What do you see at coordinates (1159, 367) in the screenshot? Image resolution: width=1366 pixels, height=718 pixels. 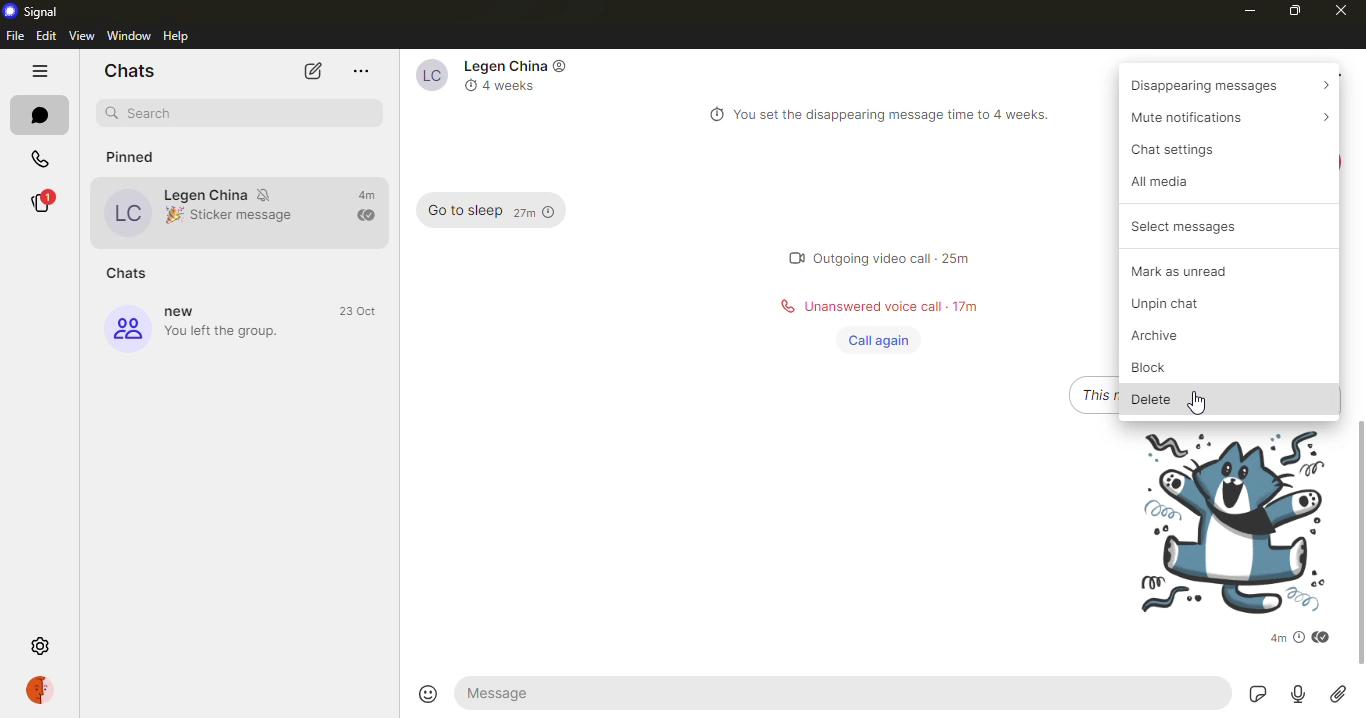 I see `block` at bounding box center [1159, 367].